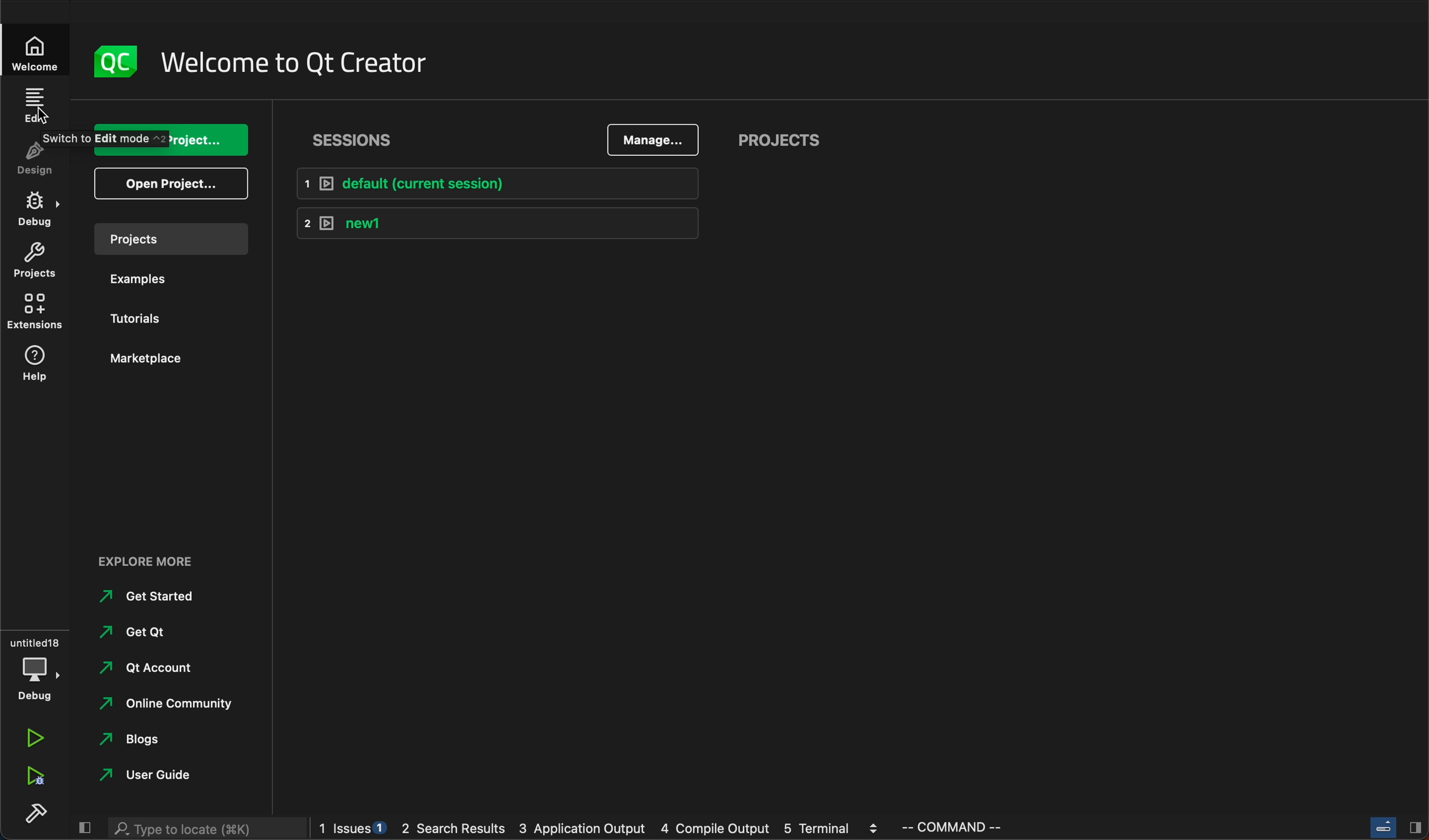 The width and height of the screenshot is (1429, 840). What do you see at coordinates (150, 597) in the screenshot?
I see `started` at bounding box center [150, 597].